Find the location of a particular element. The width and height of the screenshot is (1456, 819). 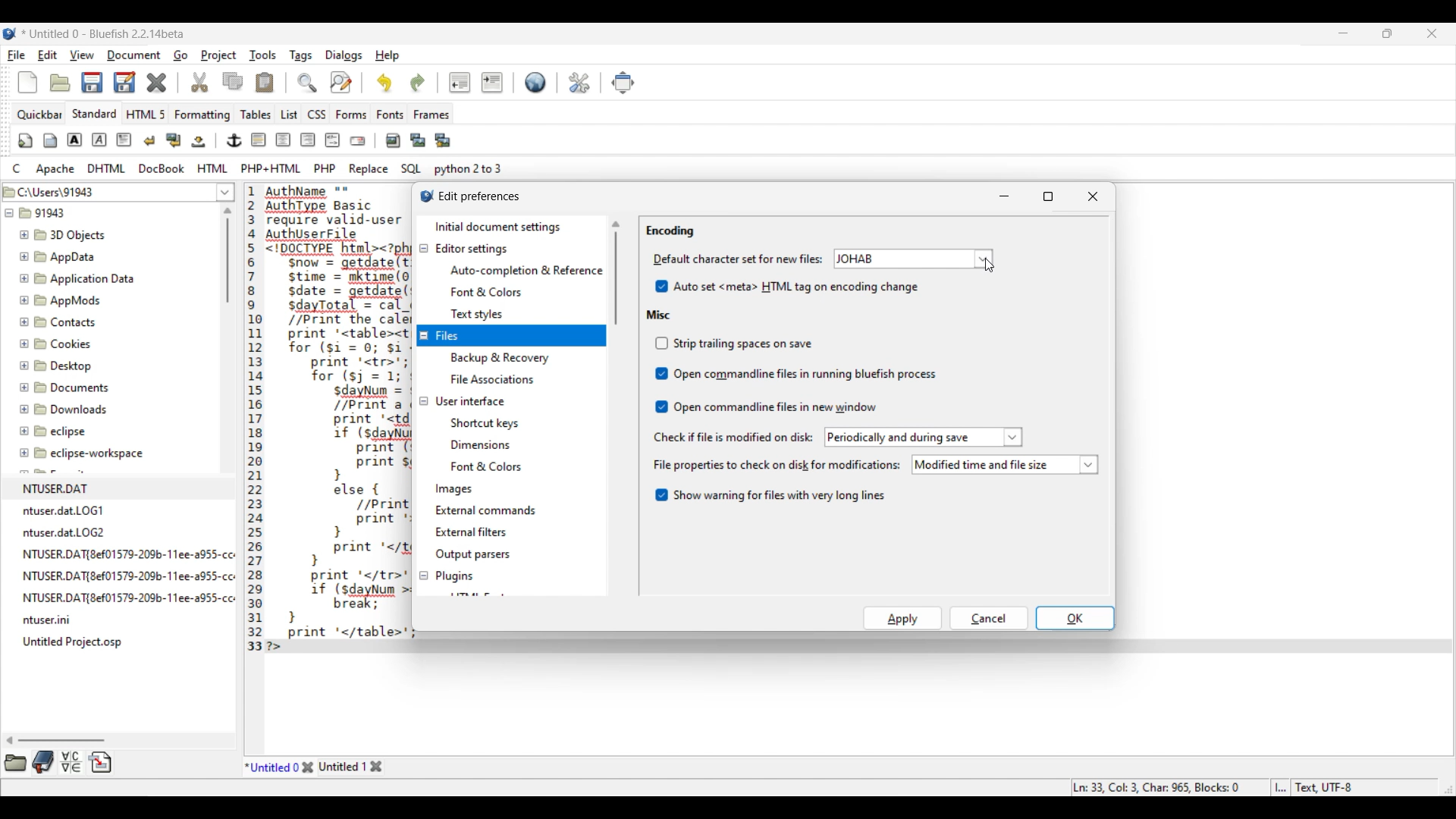

Collapse is located at coordinates (424, 413).